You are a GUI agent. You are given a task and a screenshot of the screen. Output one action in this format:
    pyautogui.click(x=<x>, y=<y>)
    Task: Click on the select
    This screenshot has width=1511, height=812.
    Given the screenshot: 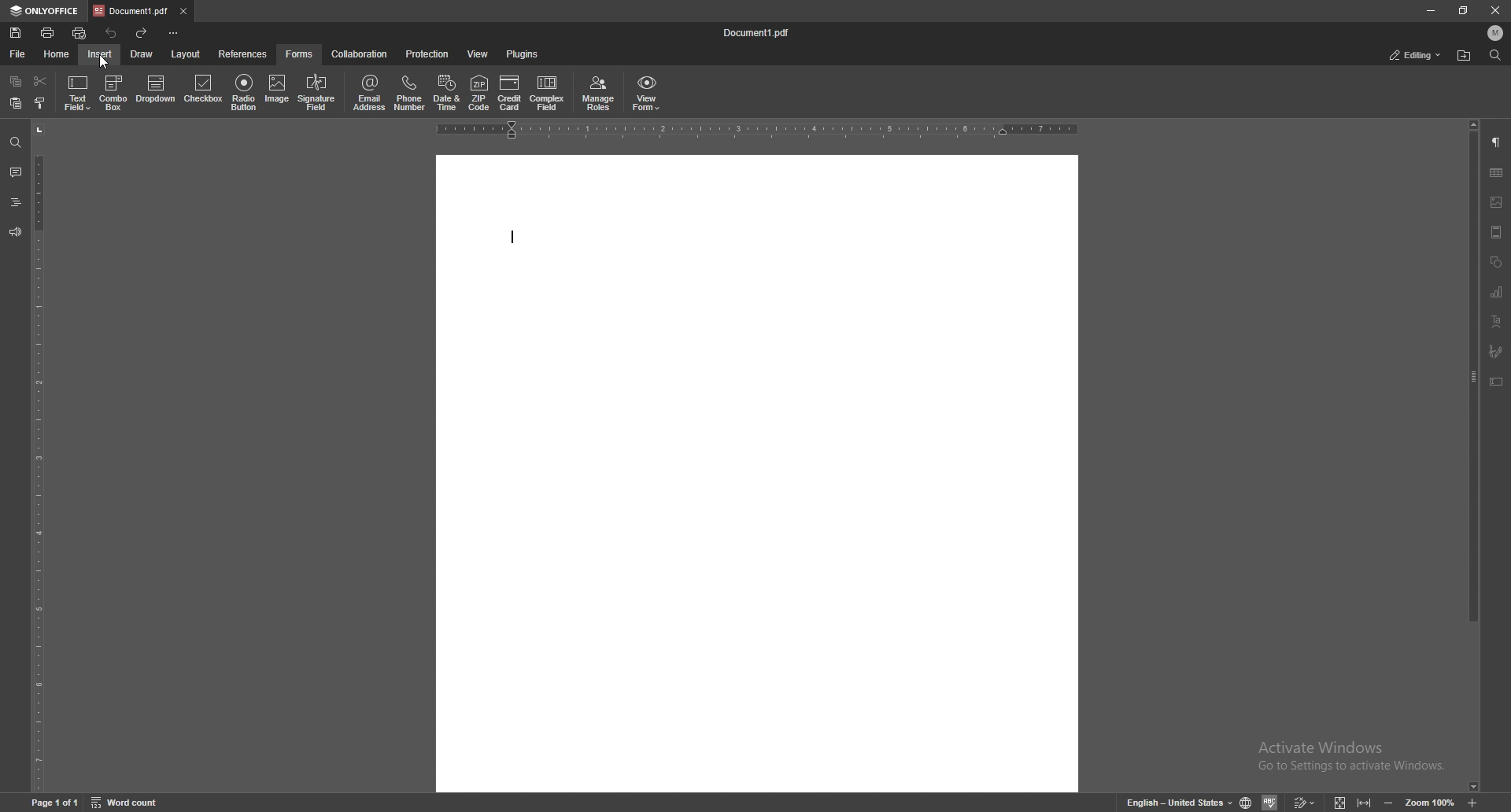 What is the action you would take?
    pyautogui.click(x=40, y=103)
    